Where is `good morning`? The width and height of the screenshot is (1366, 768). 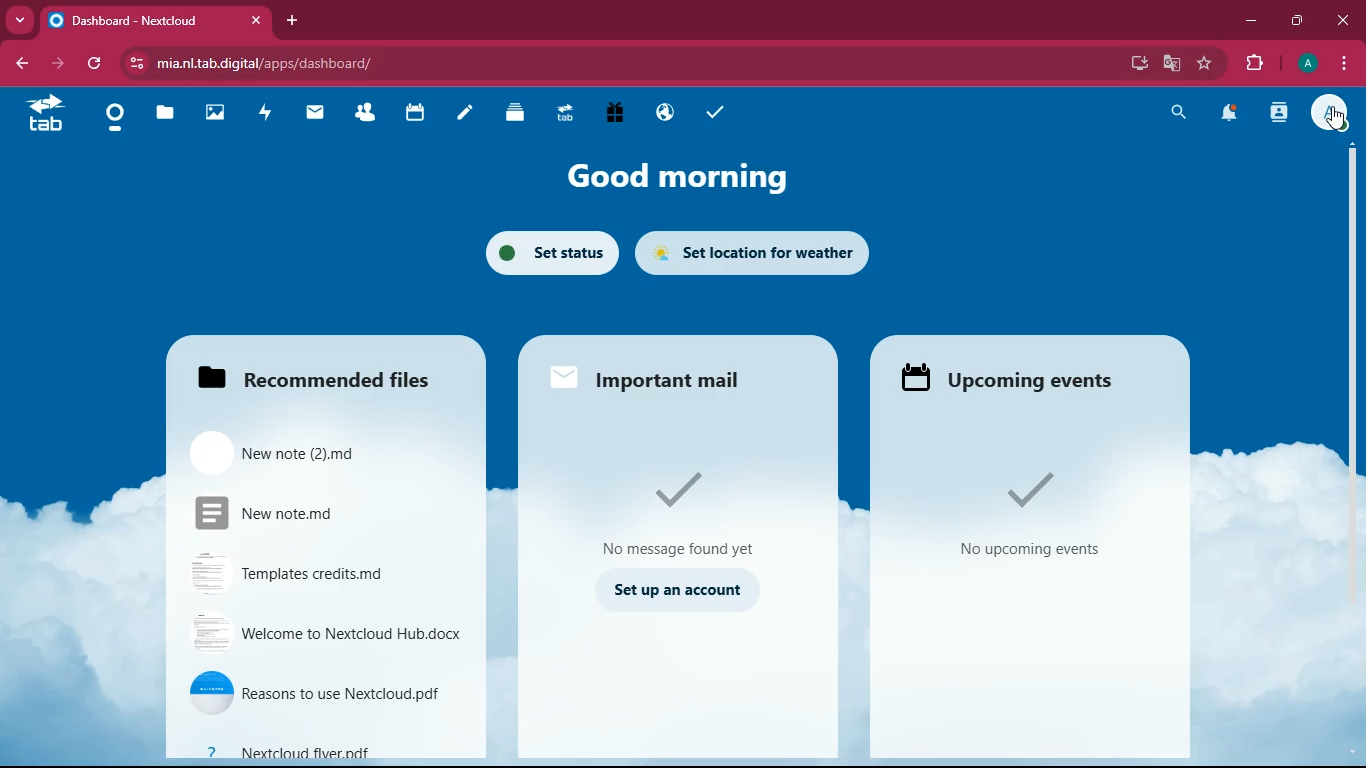 good morning is located at coordinates (691, 177).